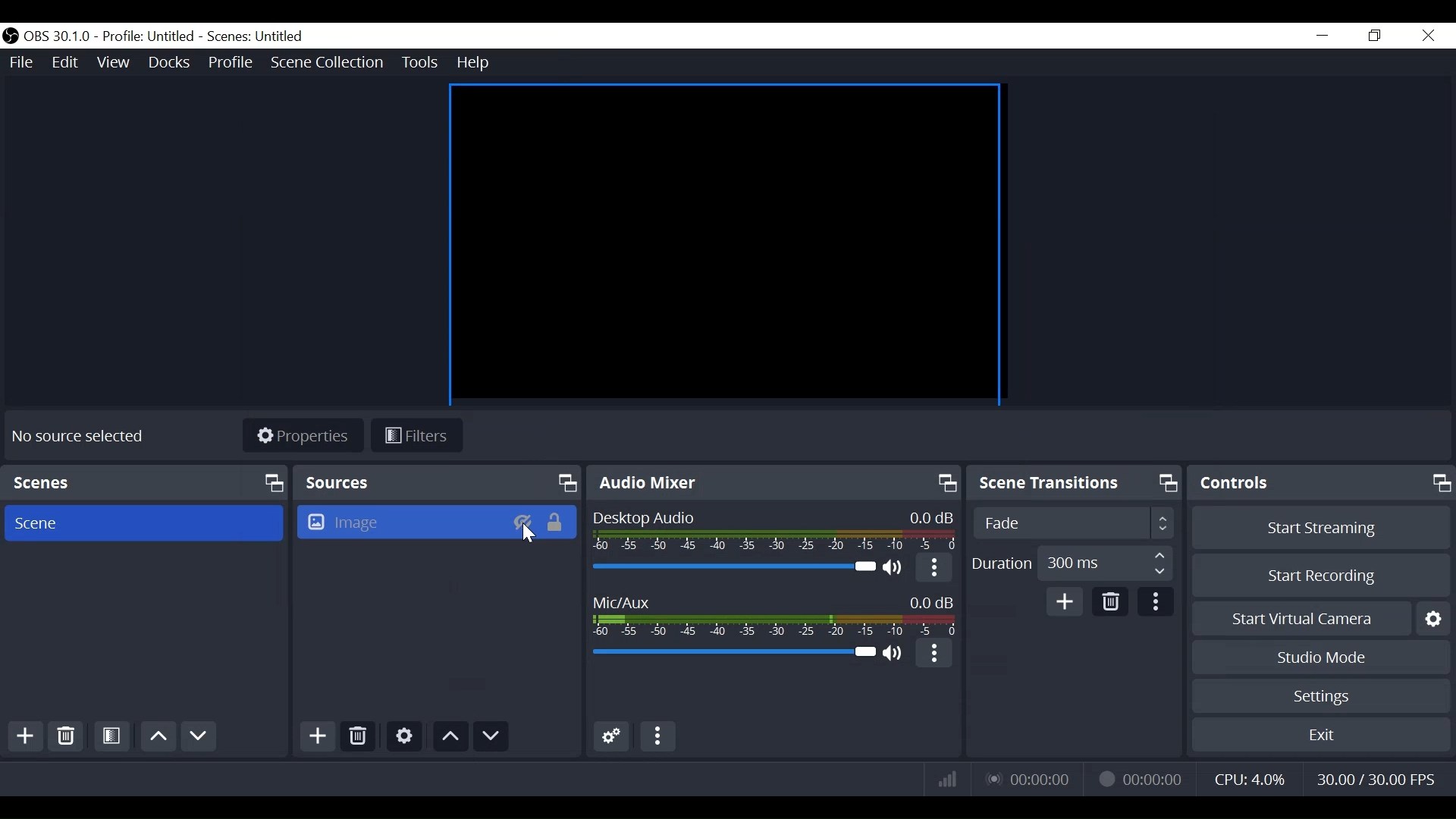  What do you see at coordinates (729, 244) in the screenshot?
I see `Preview` at bounding box center [729, 244].